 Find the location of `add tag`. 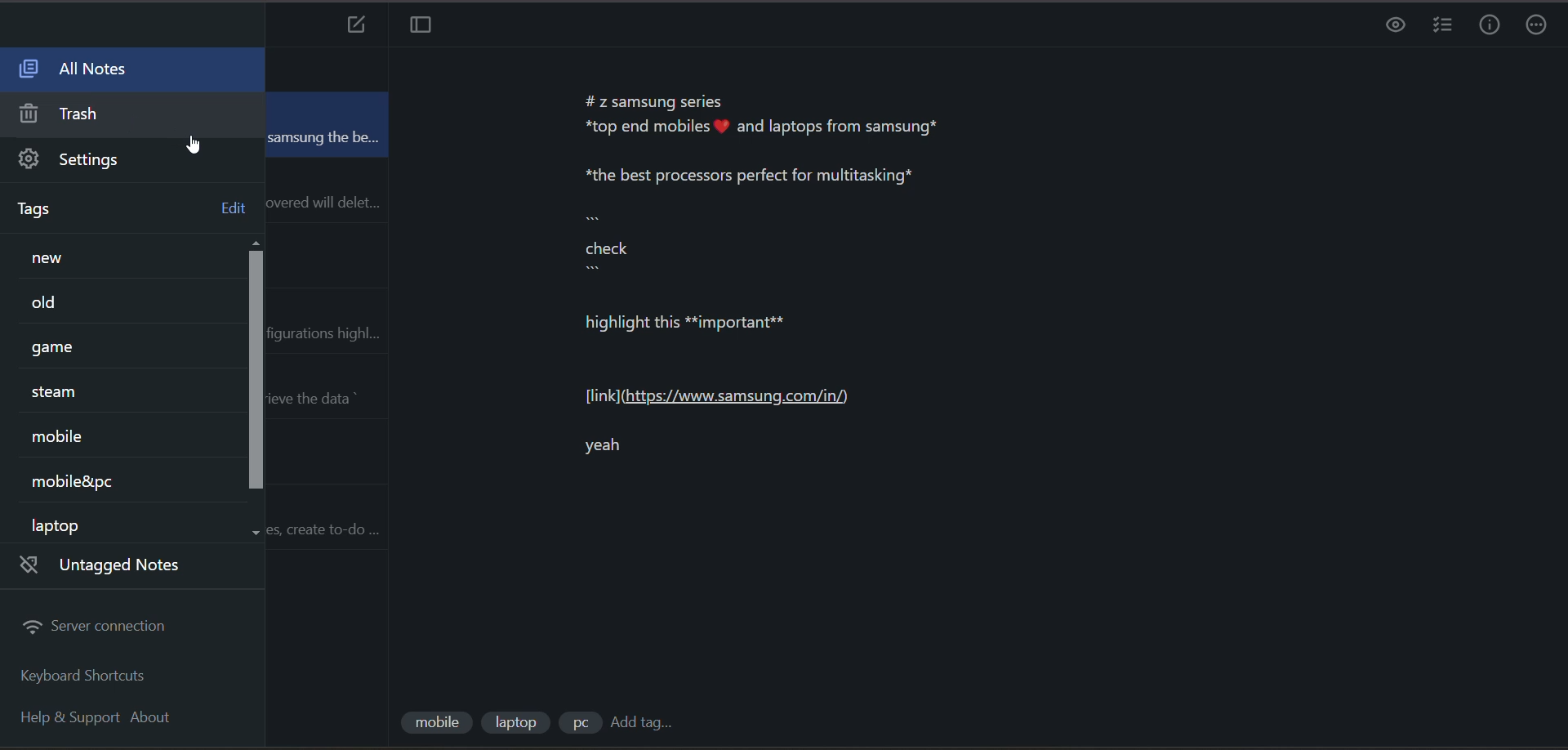

add tag is located at coordinates (645, 722).